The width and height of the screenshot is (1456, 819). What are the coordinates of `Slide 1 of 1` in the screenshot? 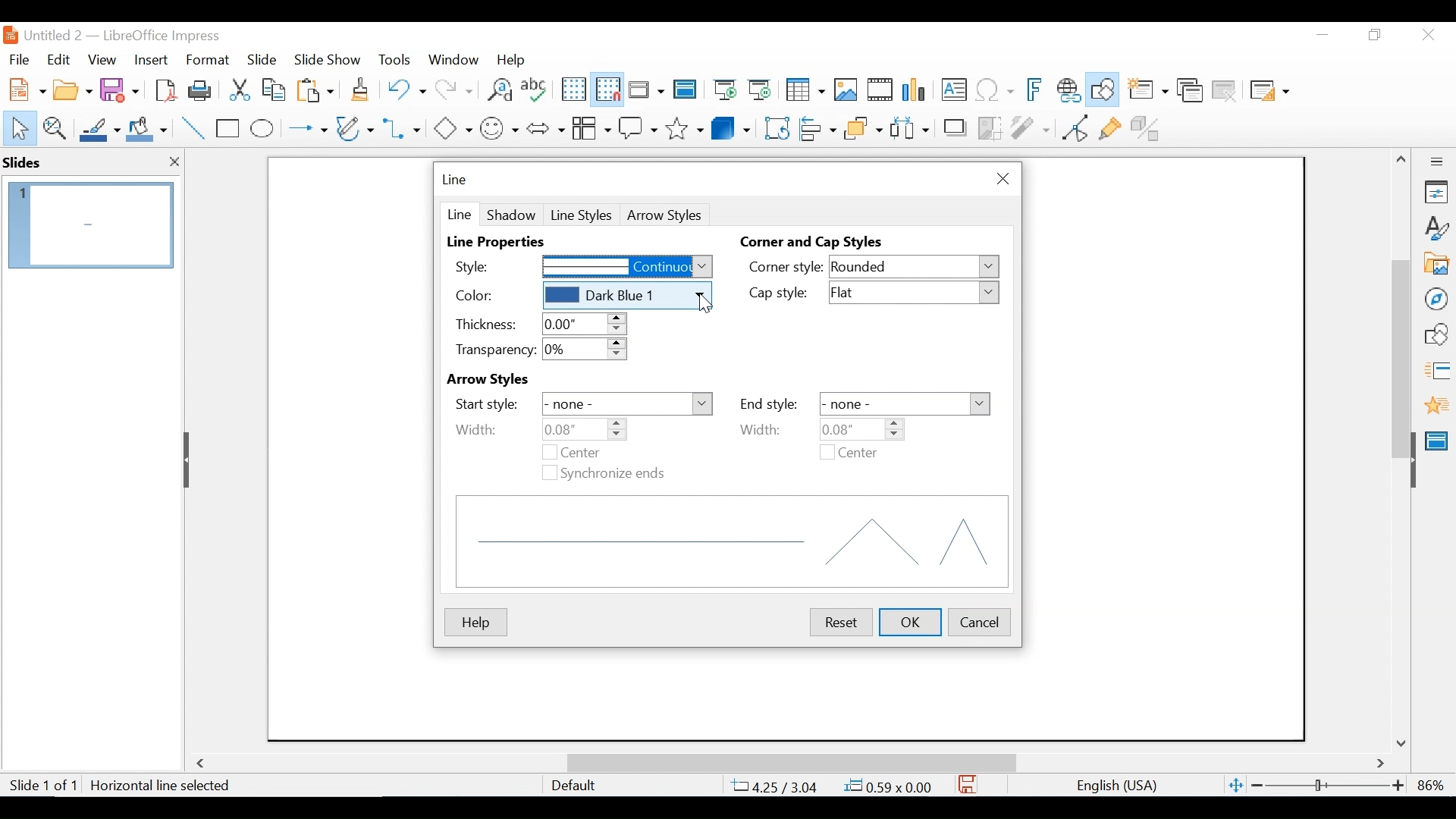 It's located at (42, 786).